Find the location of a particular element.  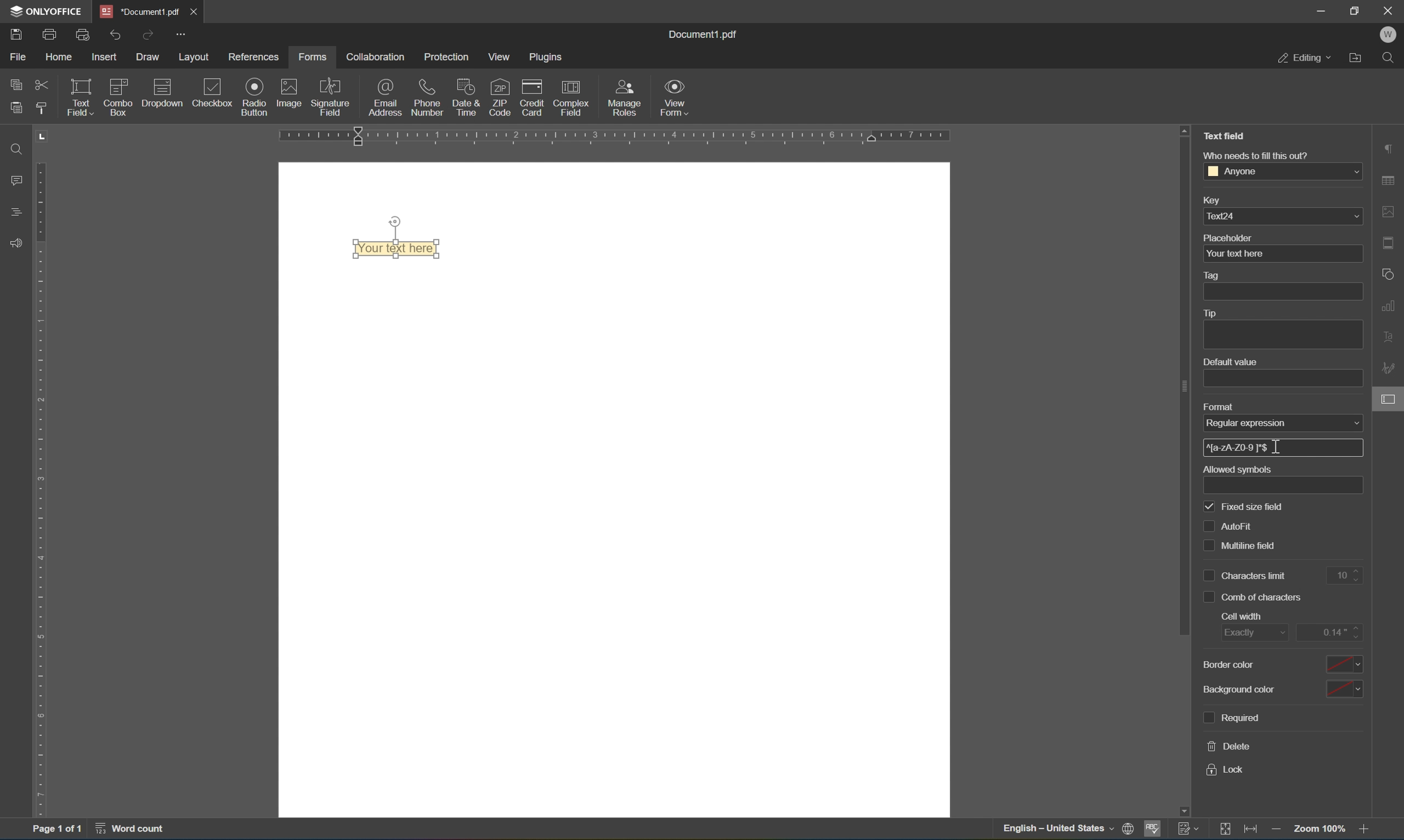

characters limits is located at coordinates (1246, 576).